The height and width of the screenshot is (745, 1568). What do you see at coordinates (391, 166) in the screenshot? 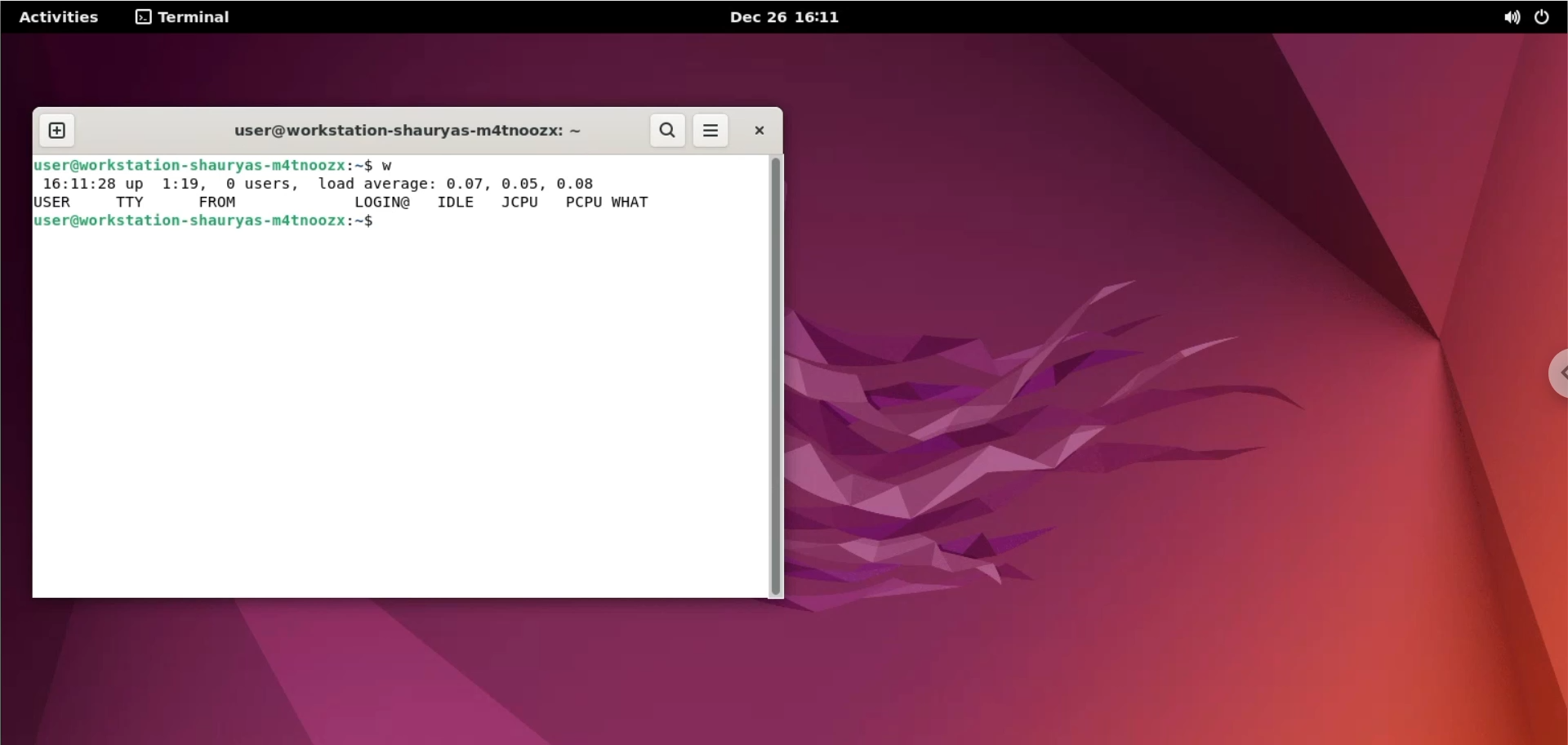
I see `command: w` at bounding box center [391, 166].